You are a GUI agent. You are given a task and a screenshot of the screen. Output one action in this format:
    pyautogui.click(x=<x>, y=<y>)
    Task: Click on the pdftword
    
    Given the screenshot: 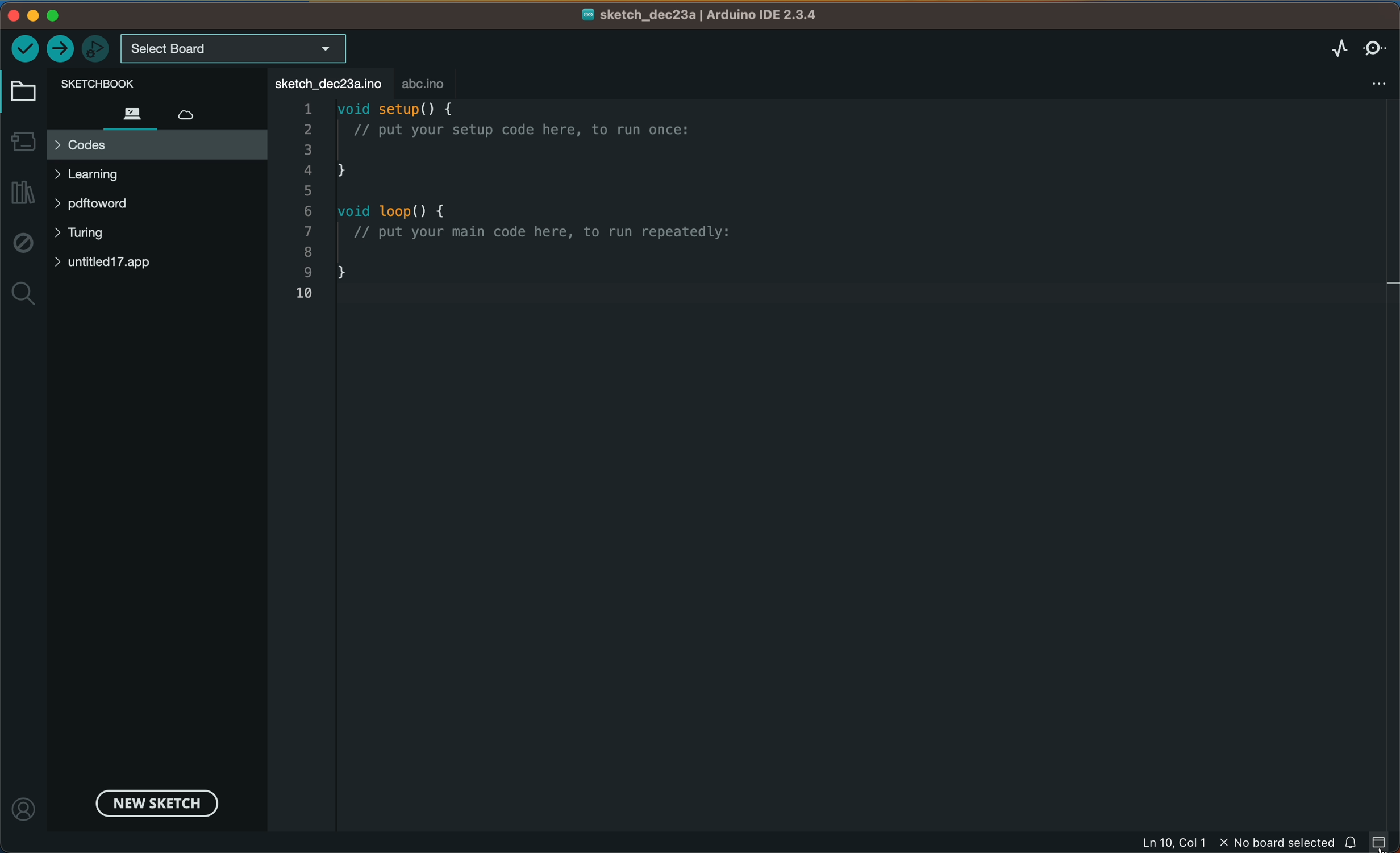 What is the action you would take?
    pyautogui.click(x=98, y=202)
    